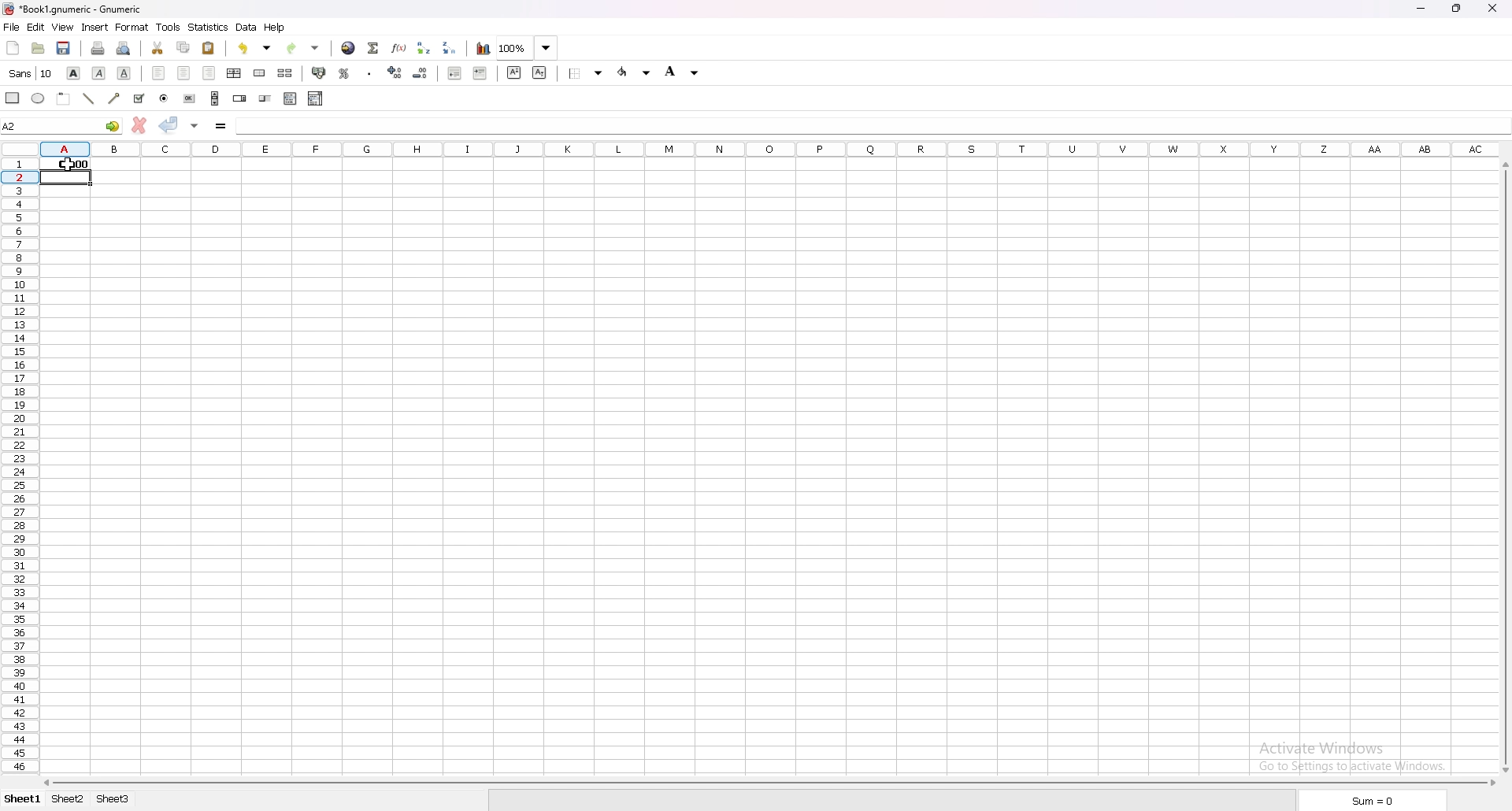 The width and height of the screenshot is (1512, 811). What do you see at coordinates (68, 799) in the screenshot?
I see `sheet 2` at bounding box center [68, 799].